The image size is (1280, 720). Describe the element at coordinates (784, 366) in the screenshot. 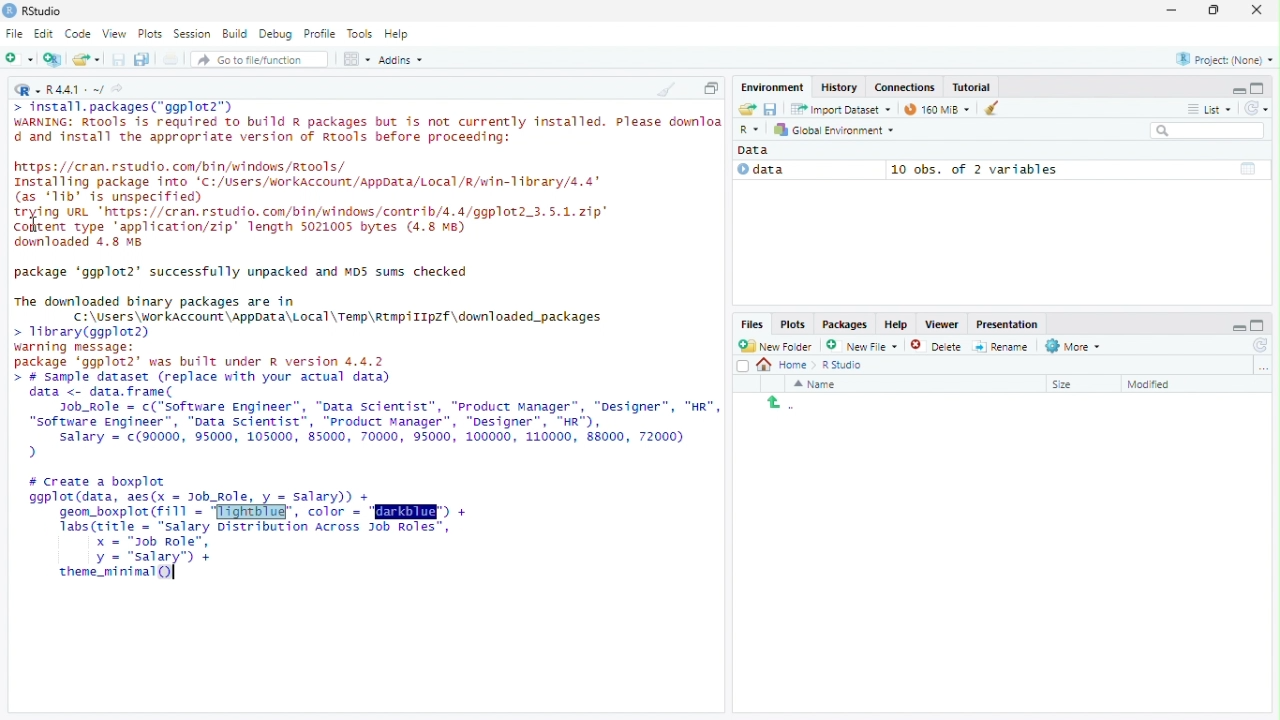

I see `Home` at that location.